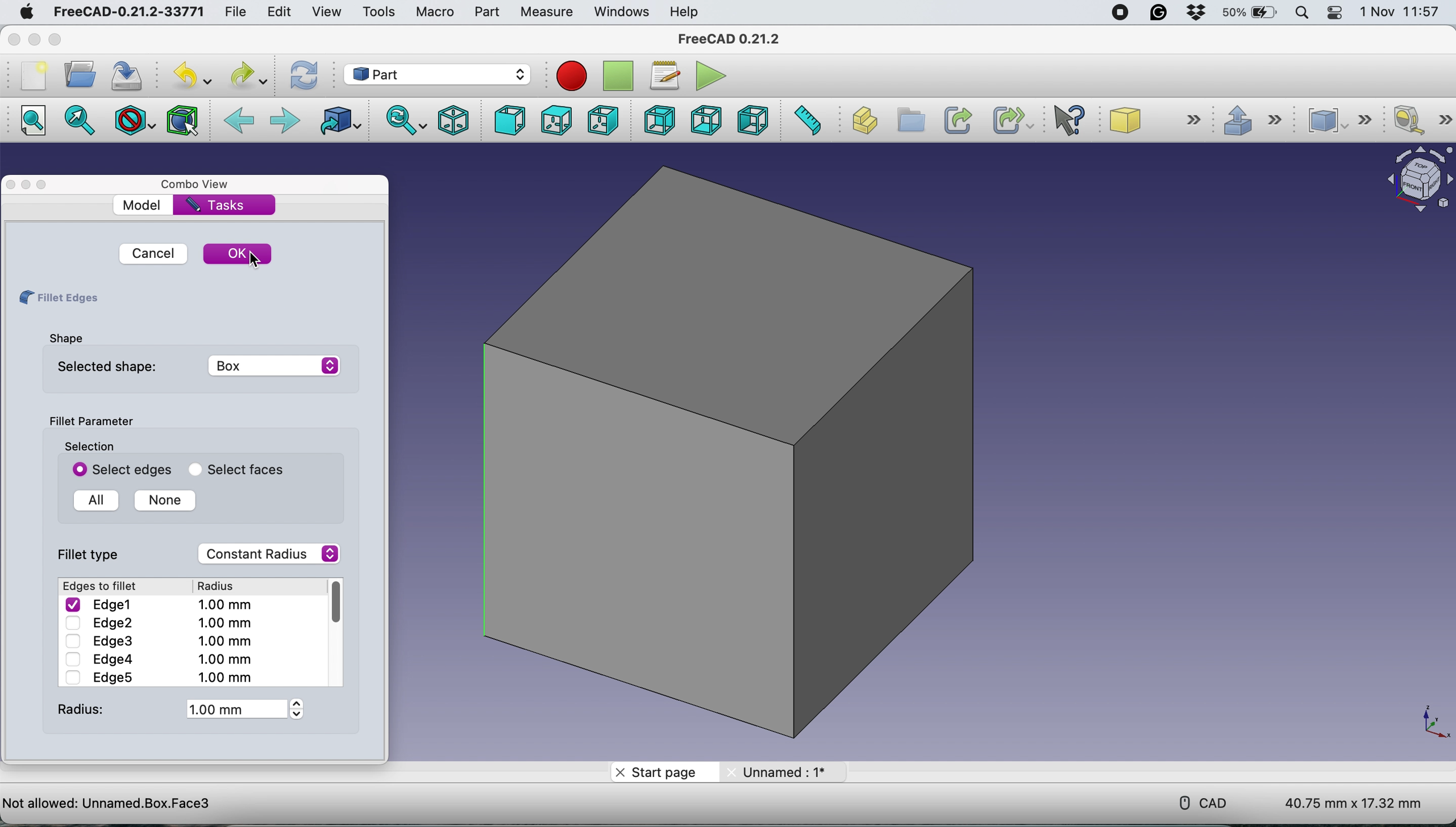  I want to click on minimise, so click(35, 40).